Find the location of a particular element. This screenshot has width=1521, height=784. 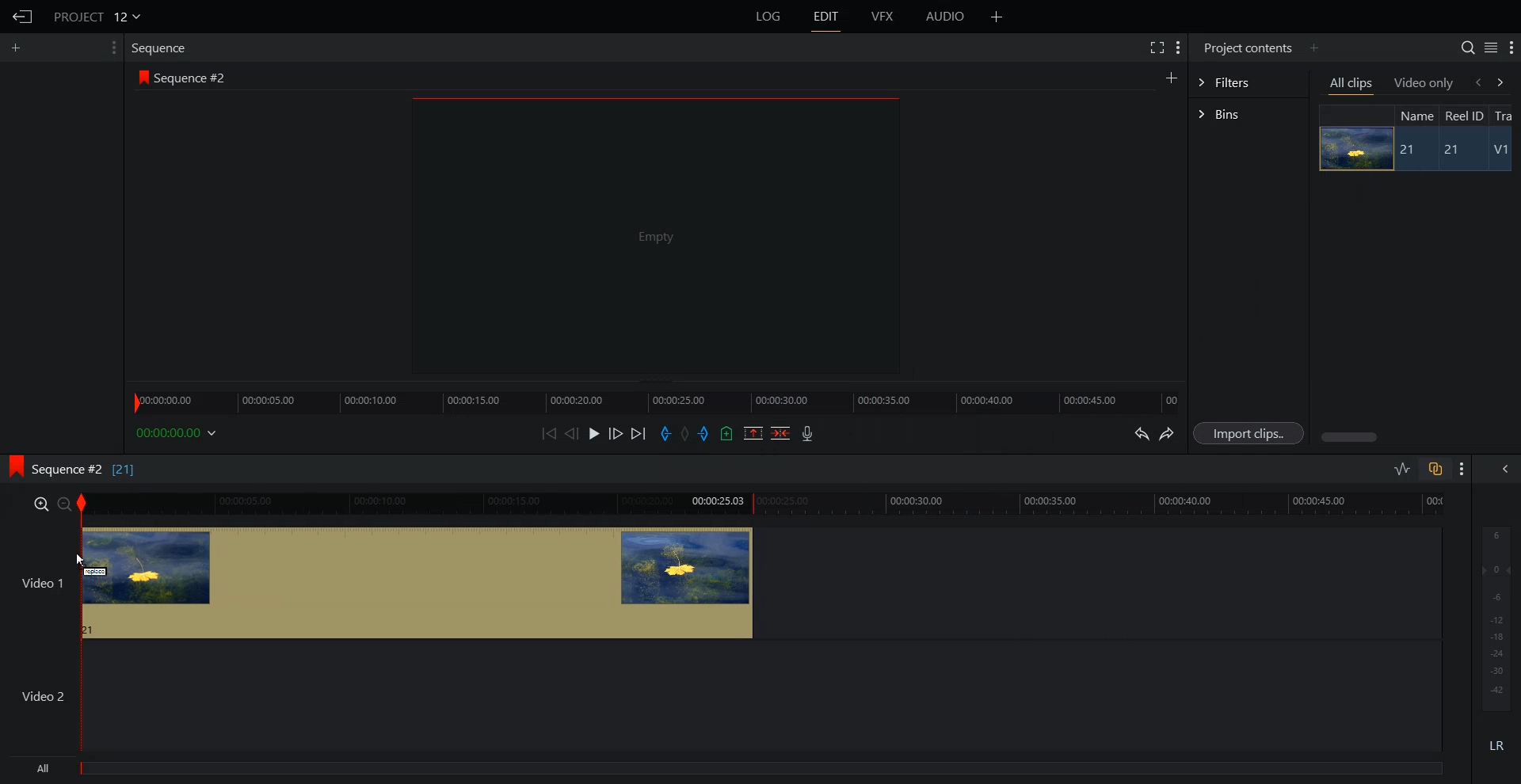

Show setting menu is located at coordinates (112, 48).